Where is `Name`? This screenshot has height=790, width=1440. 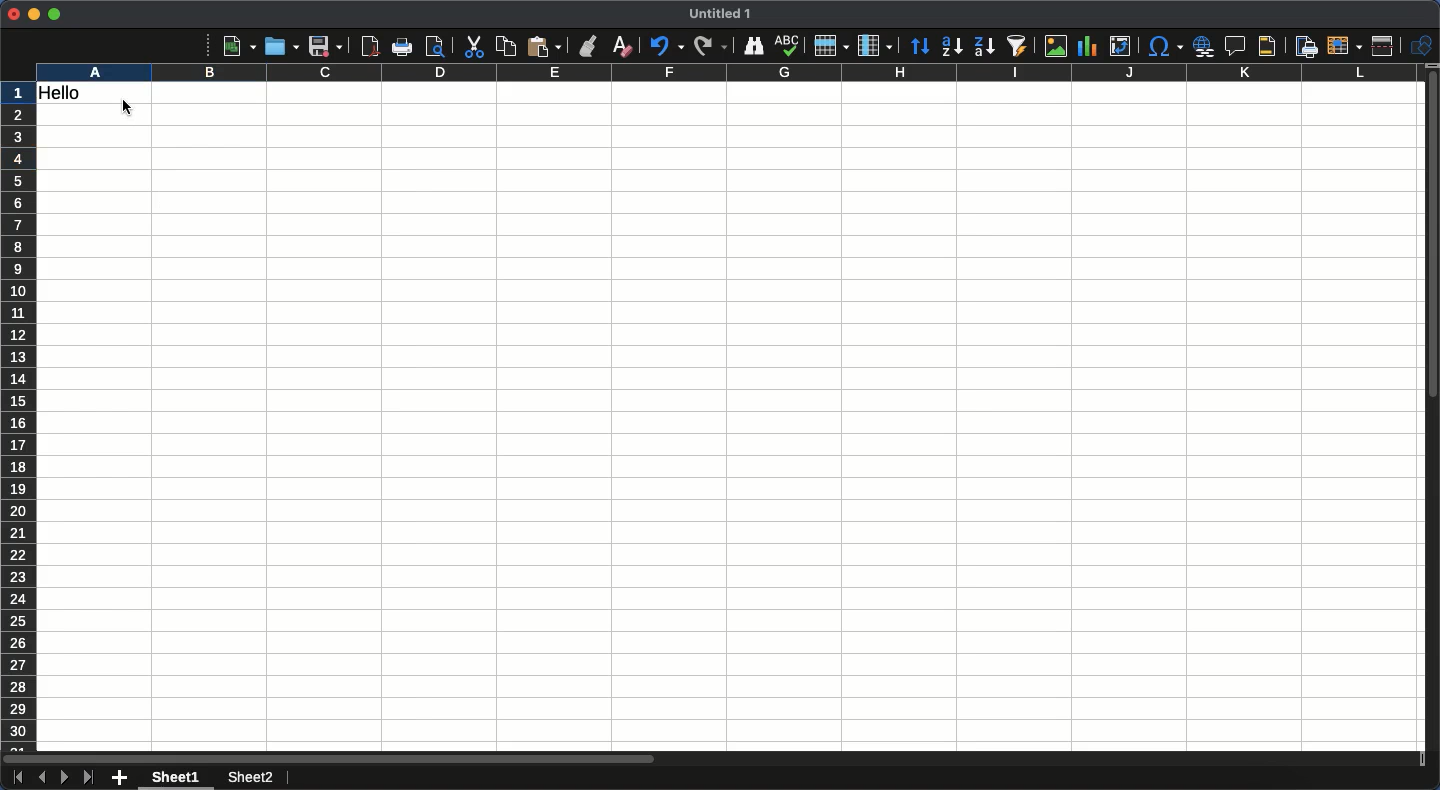
Name is located at coordinates (723, 13).